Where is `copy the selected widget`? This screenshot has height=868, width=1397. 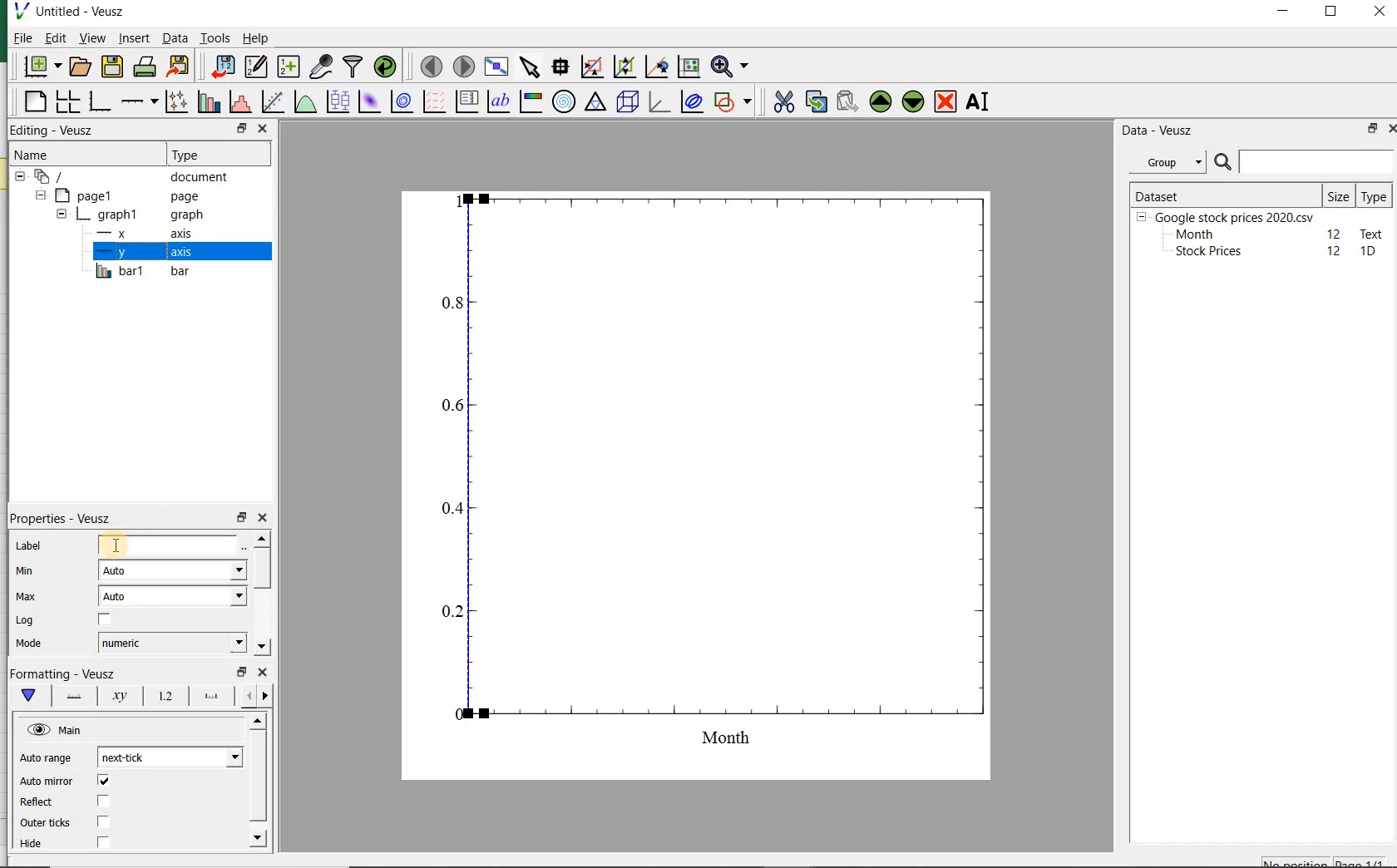 copy the selected widget is located at coordinates (815, 102).